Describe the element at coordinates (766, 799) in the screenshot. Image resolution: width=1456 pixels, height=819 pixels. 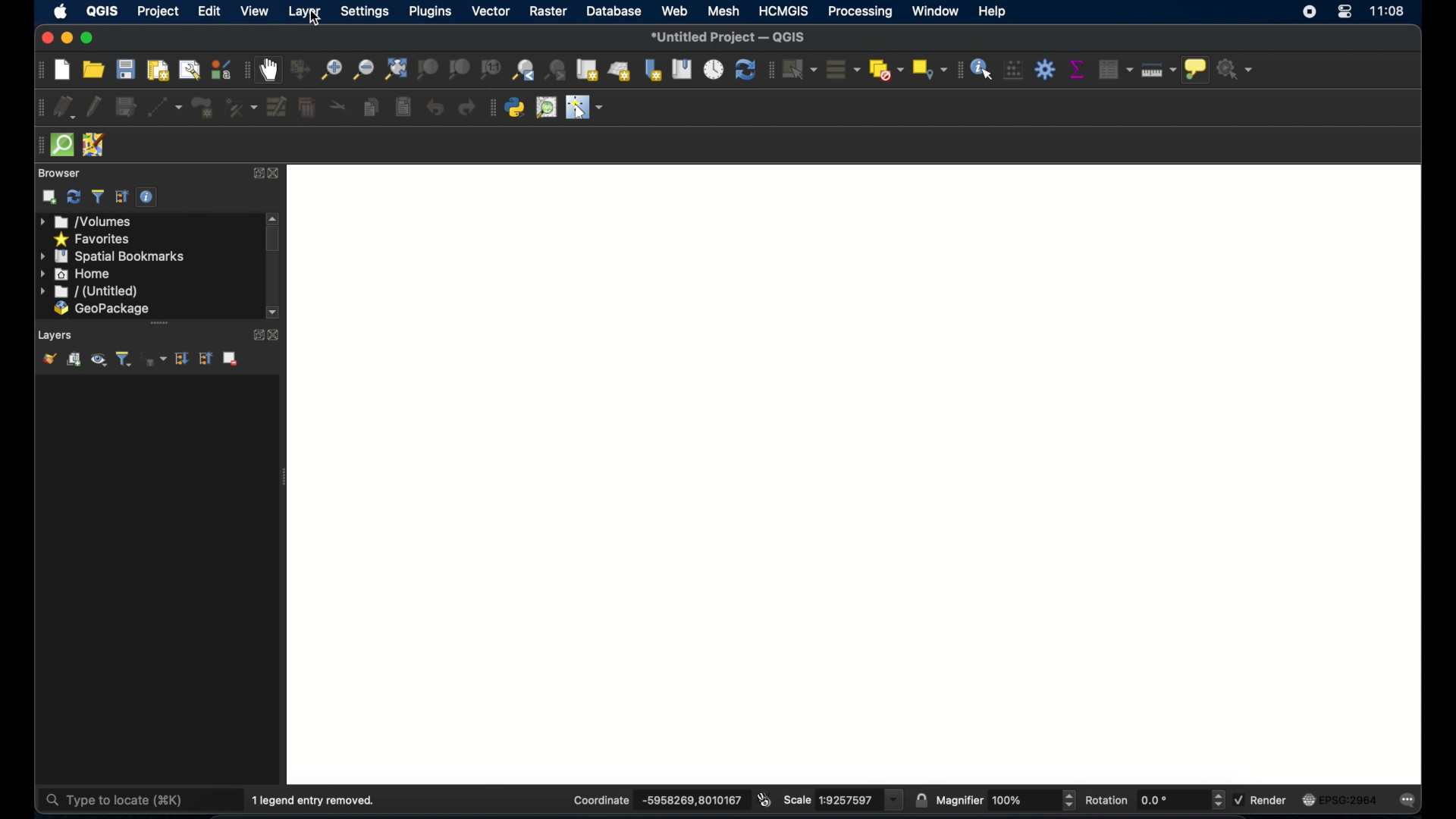
I see `toggle extents and mouse position display` at that location.